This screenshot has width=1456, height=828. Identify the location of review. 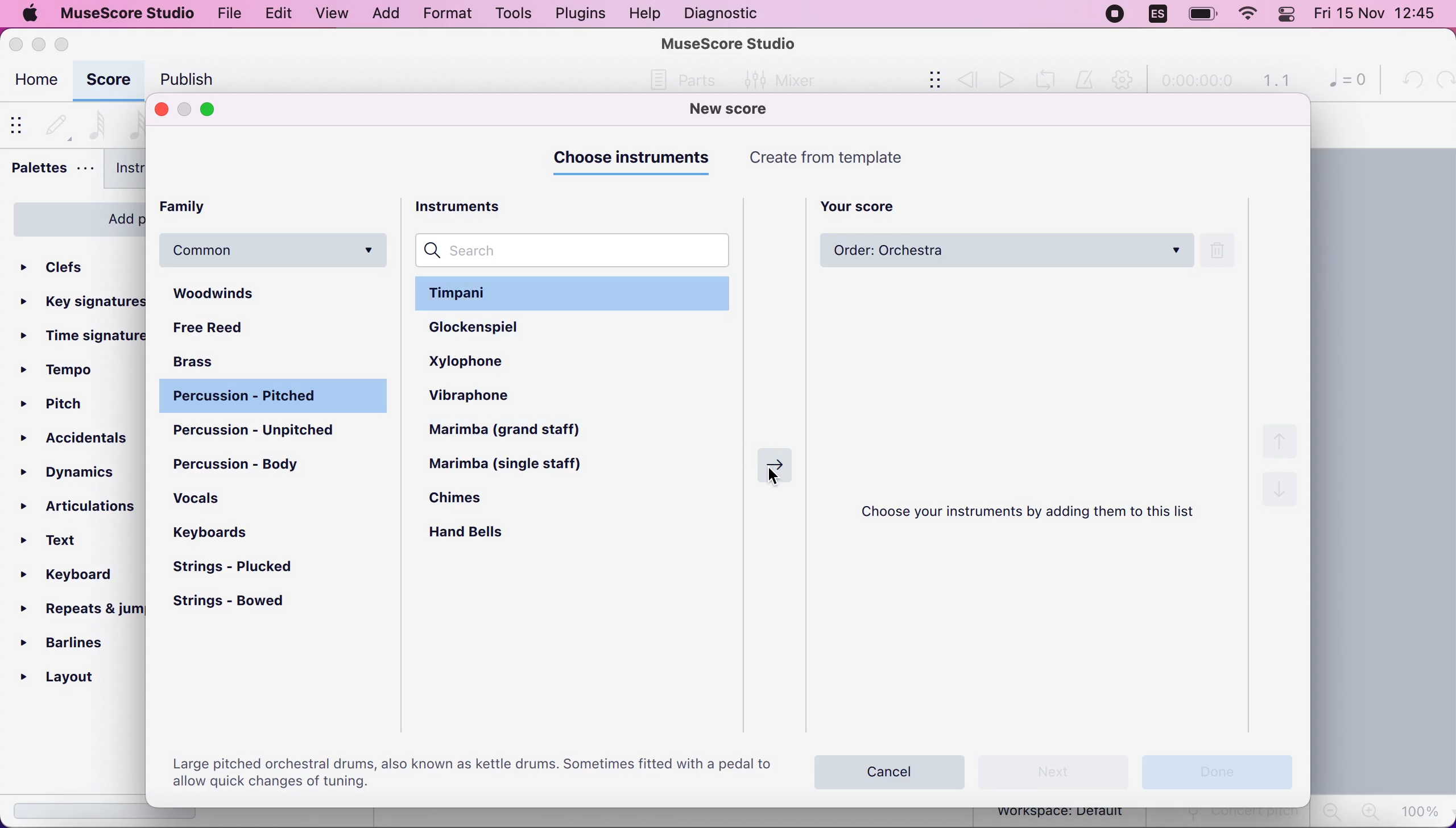
(968, 79).